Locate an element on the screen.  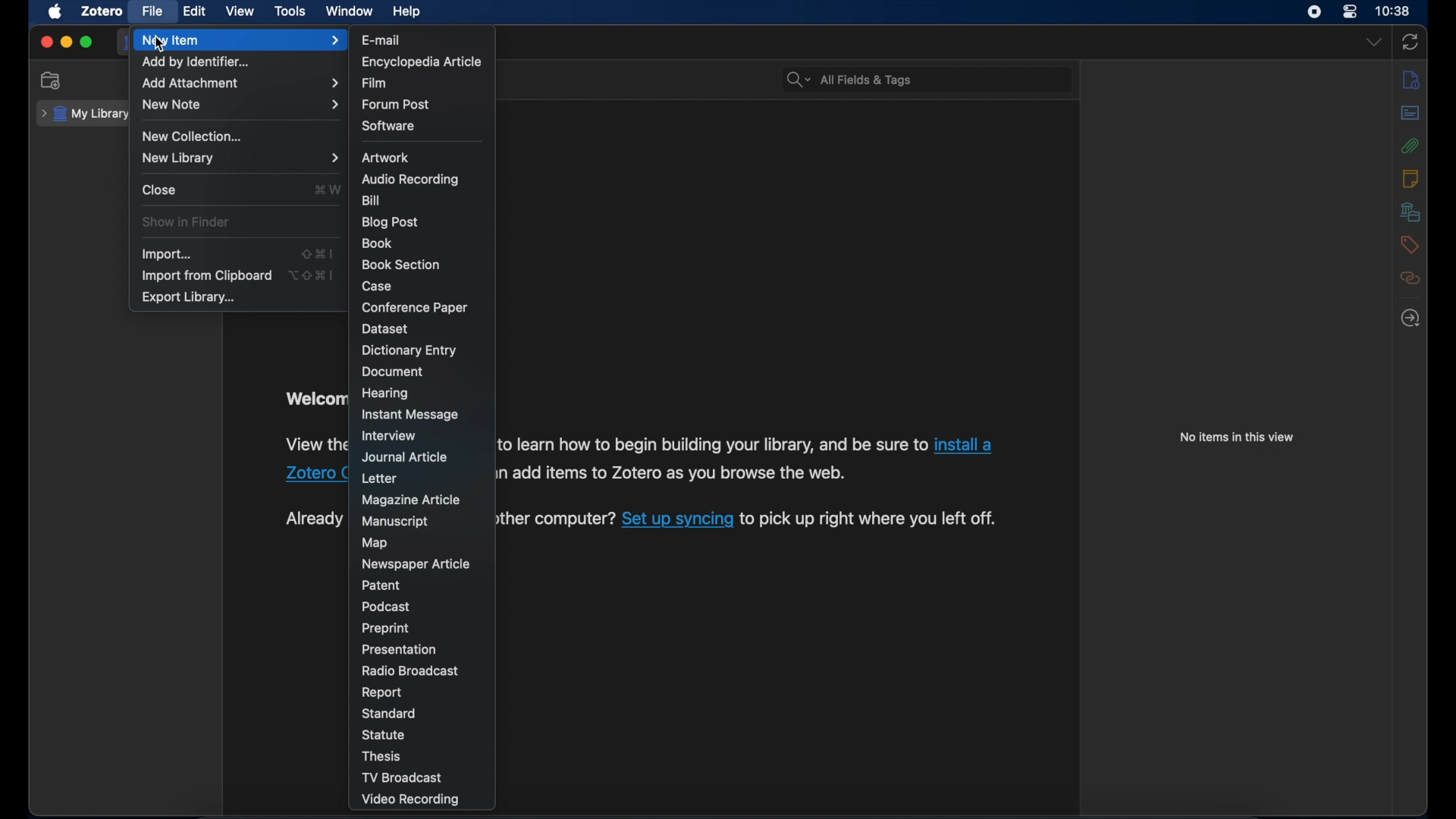
newspaper article is located at coordinates (418, 564).